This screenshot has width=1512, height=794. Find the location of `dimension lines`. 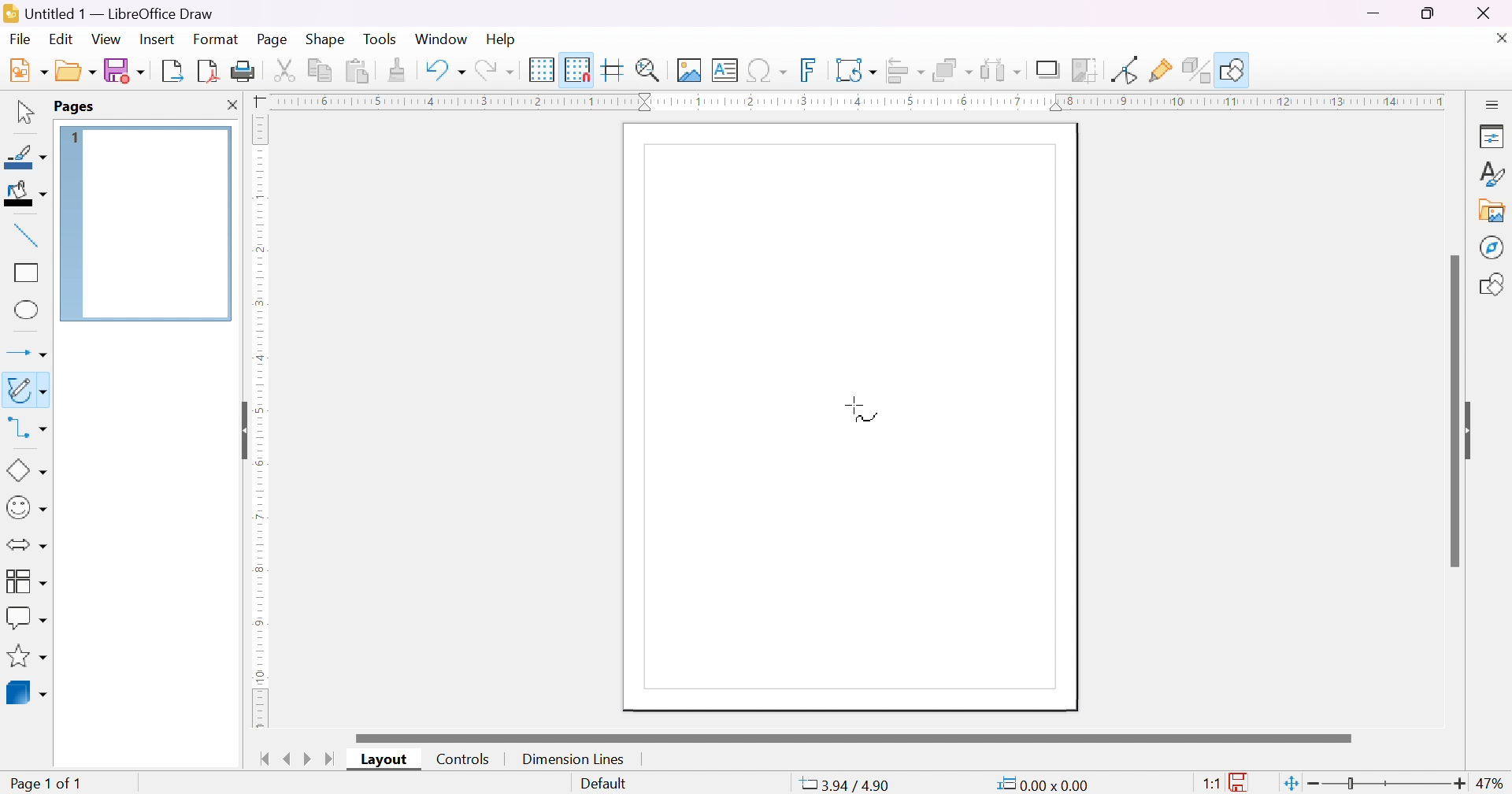

dimension lines is located at coordinates (572, 759).